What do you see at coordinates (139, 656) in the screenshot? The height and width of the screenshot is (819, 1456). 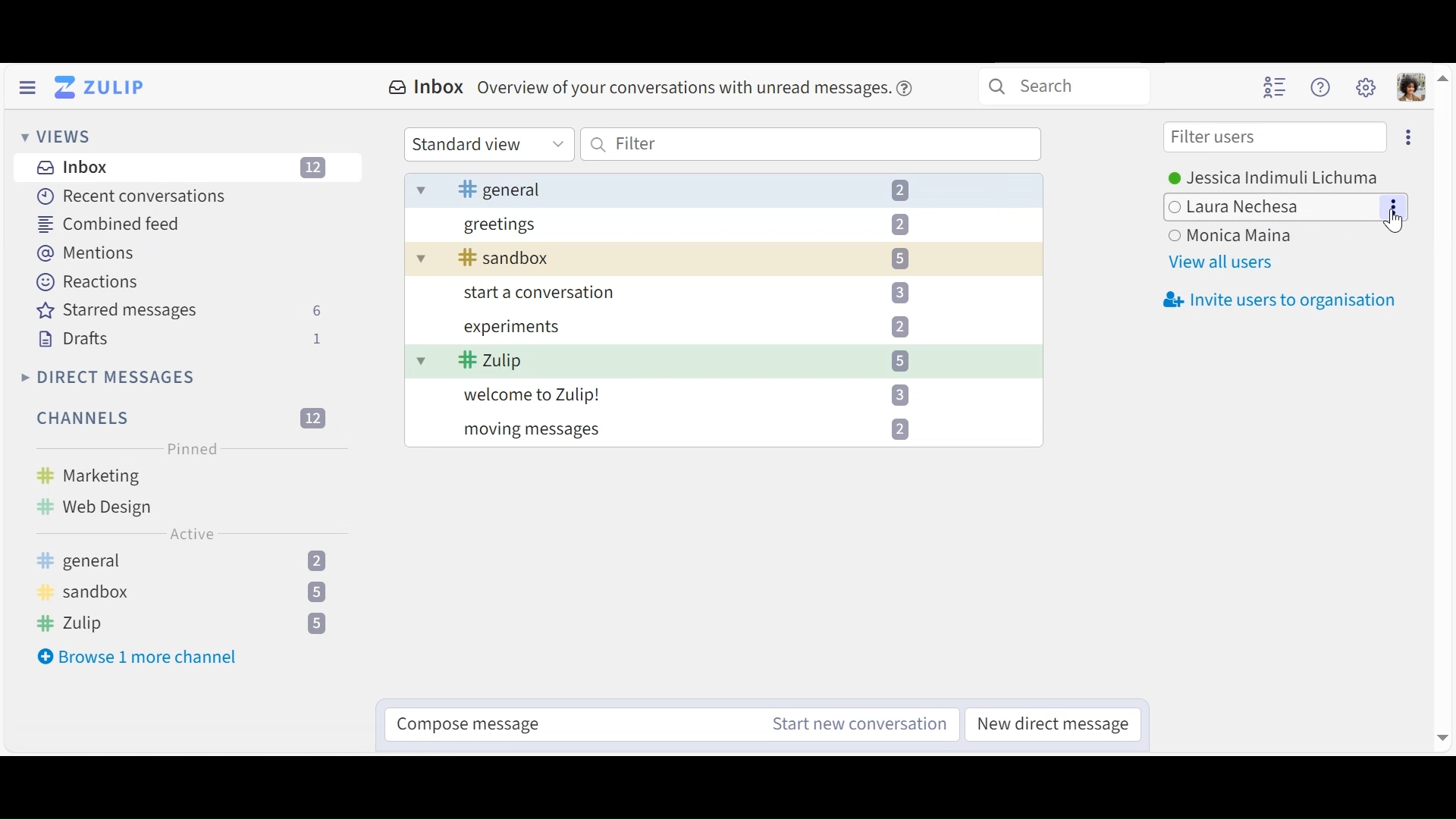 I see `Browse more channel` at bounding box center [139, 656].